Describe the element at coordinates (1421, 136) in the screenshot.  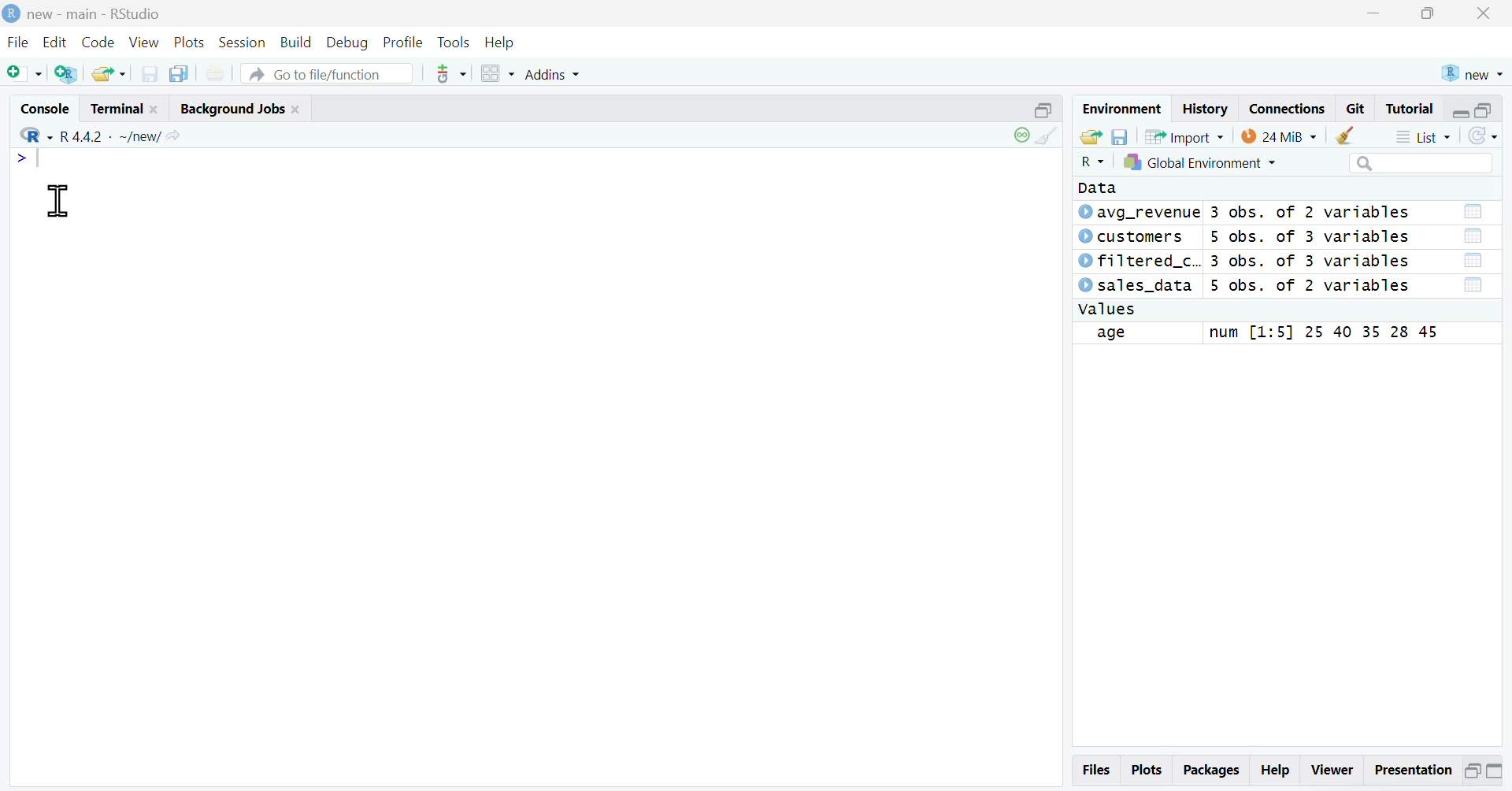
I see `List` at that location.